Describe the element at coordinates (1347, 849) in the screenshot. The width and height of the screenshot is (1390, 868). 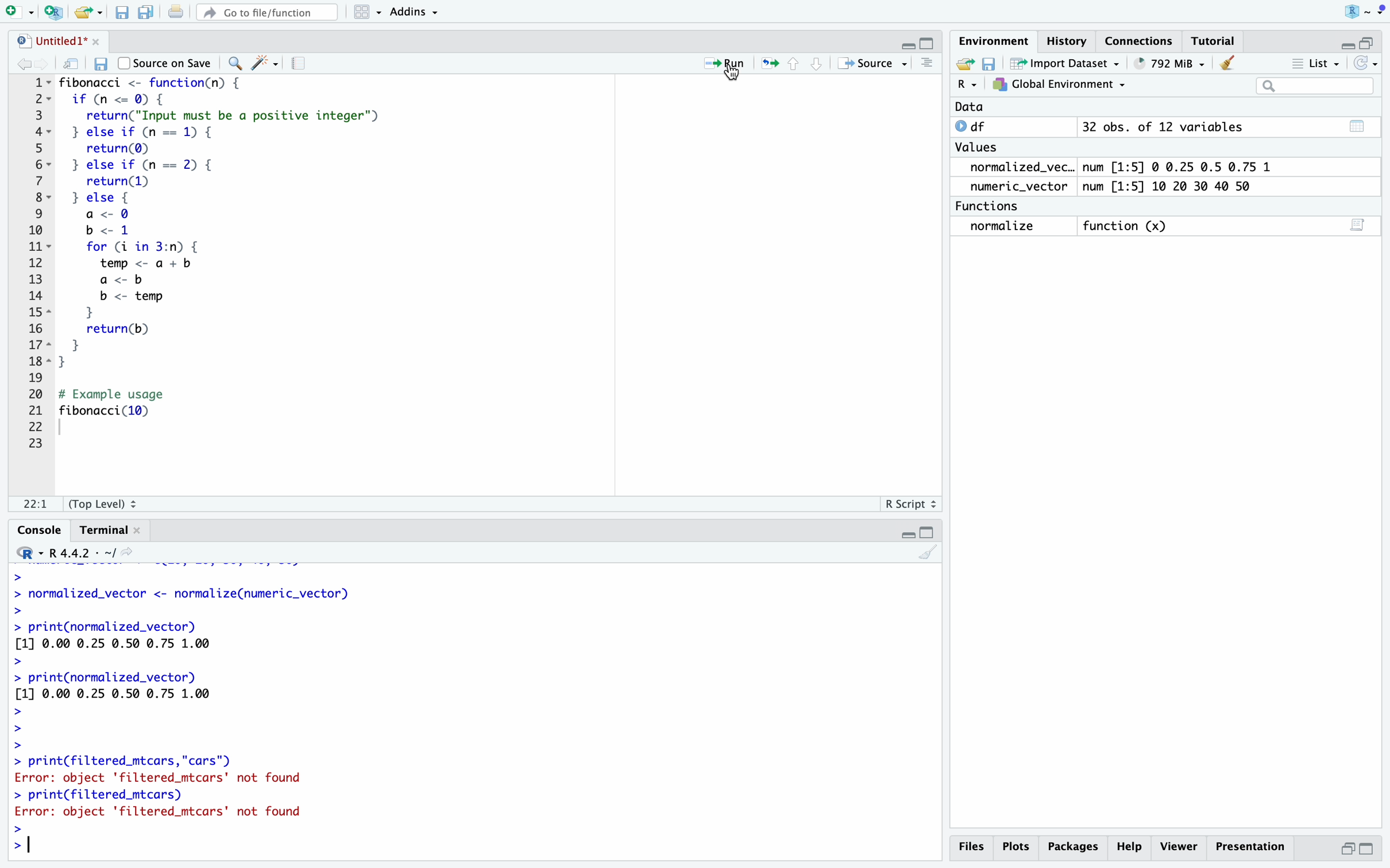
I see `minimize` at that location.